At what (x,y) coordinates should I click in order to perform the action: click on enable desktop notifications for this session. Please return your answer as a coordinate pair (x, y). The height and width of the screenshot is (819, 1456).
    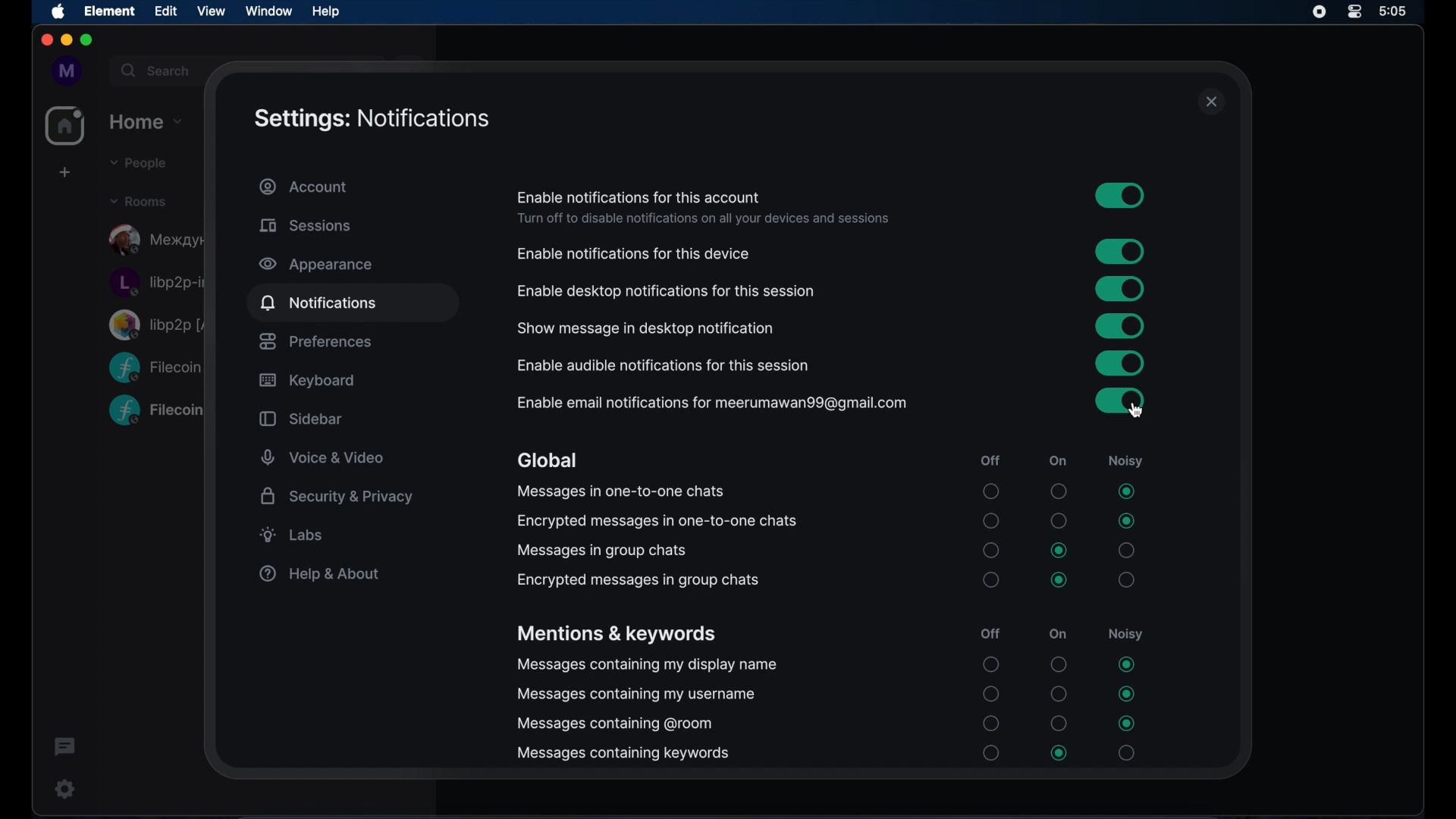
    Looking at the image, I should click on (666, 291).